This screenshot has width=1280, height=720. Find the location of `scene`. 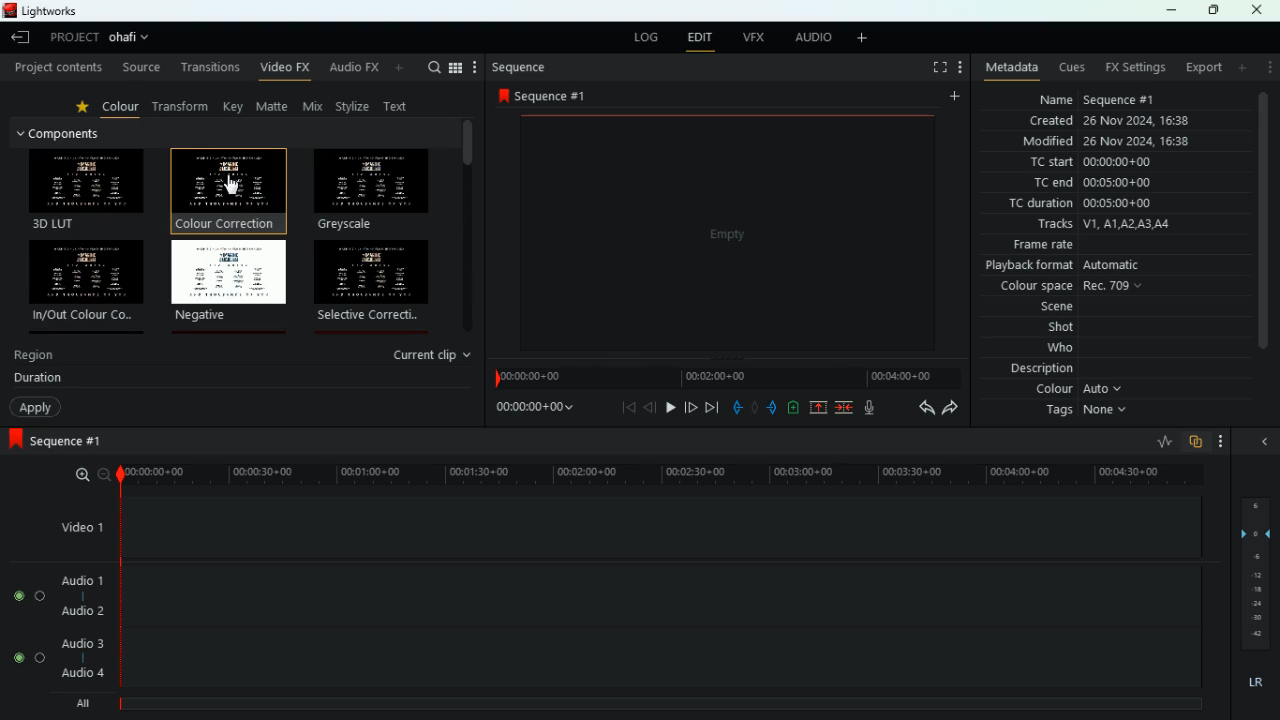

scene is located at coordinates (1034, 308).